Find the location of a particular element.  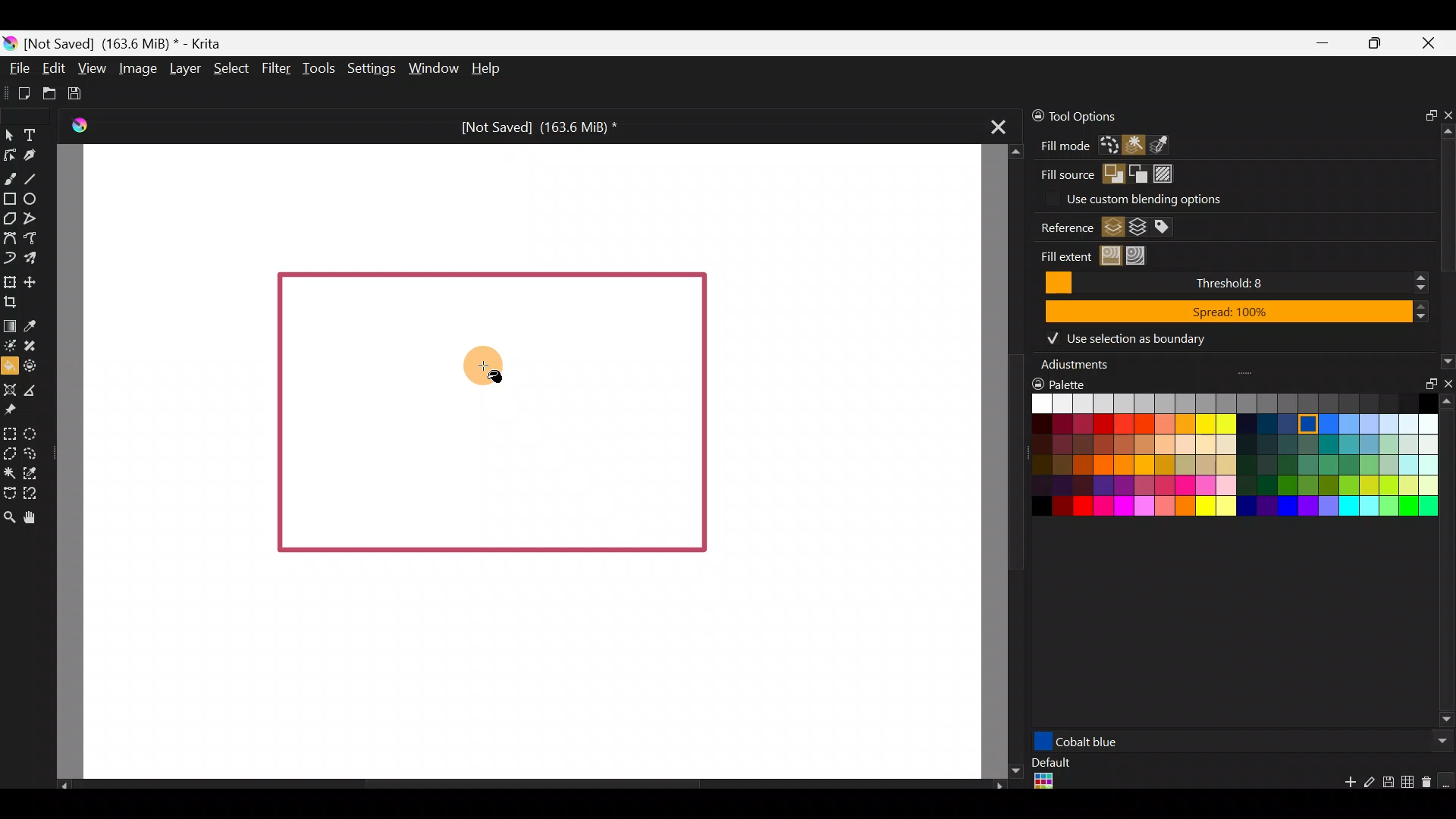

Fill regions from the merging of layers is located at coordinates (1138, 227).